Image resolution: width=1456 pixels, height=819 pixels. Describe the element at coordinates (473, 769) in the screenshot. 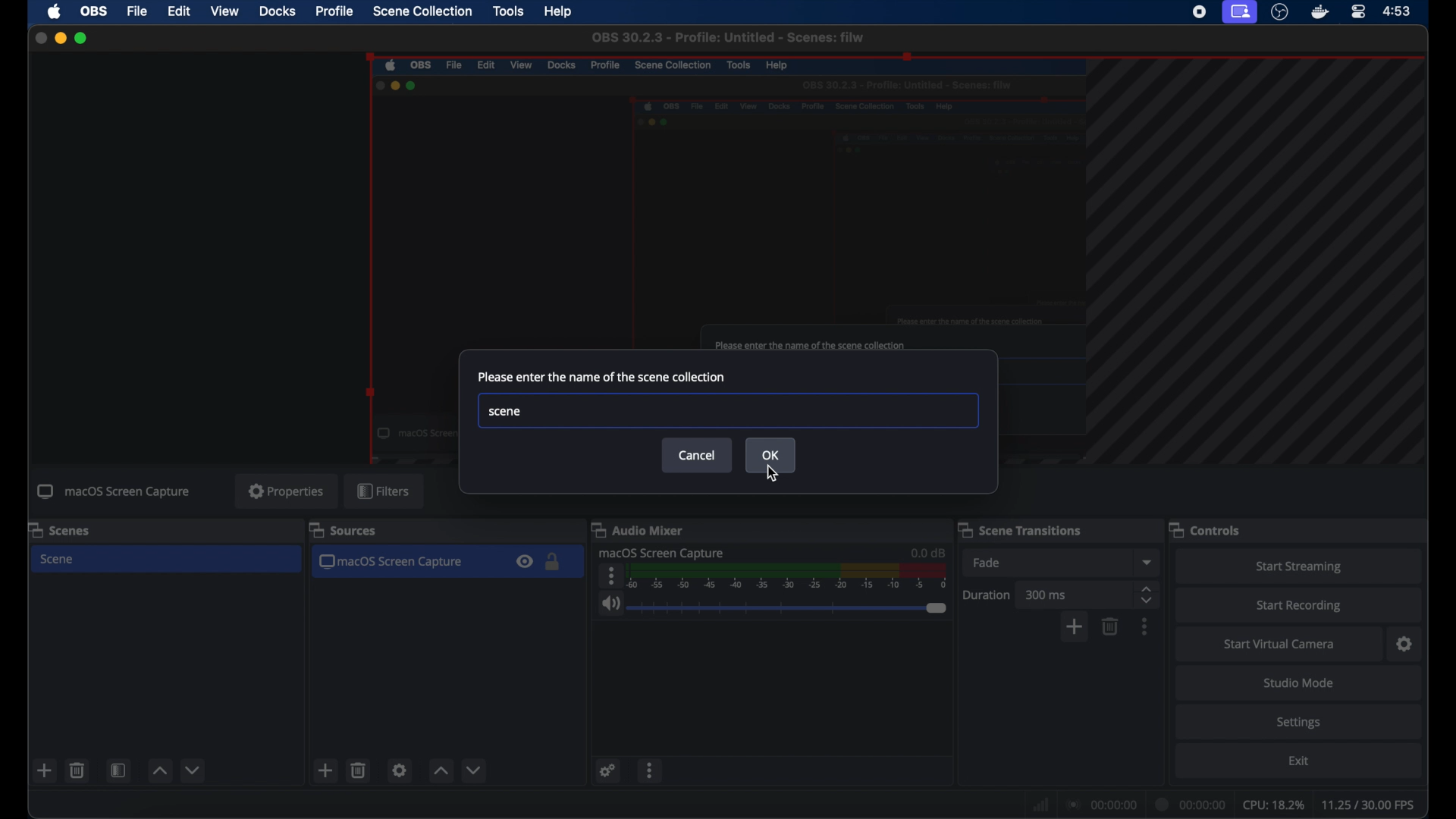

I see `decrement` at that location.